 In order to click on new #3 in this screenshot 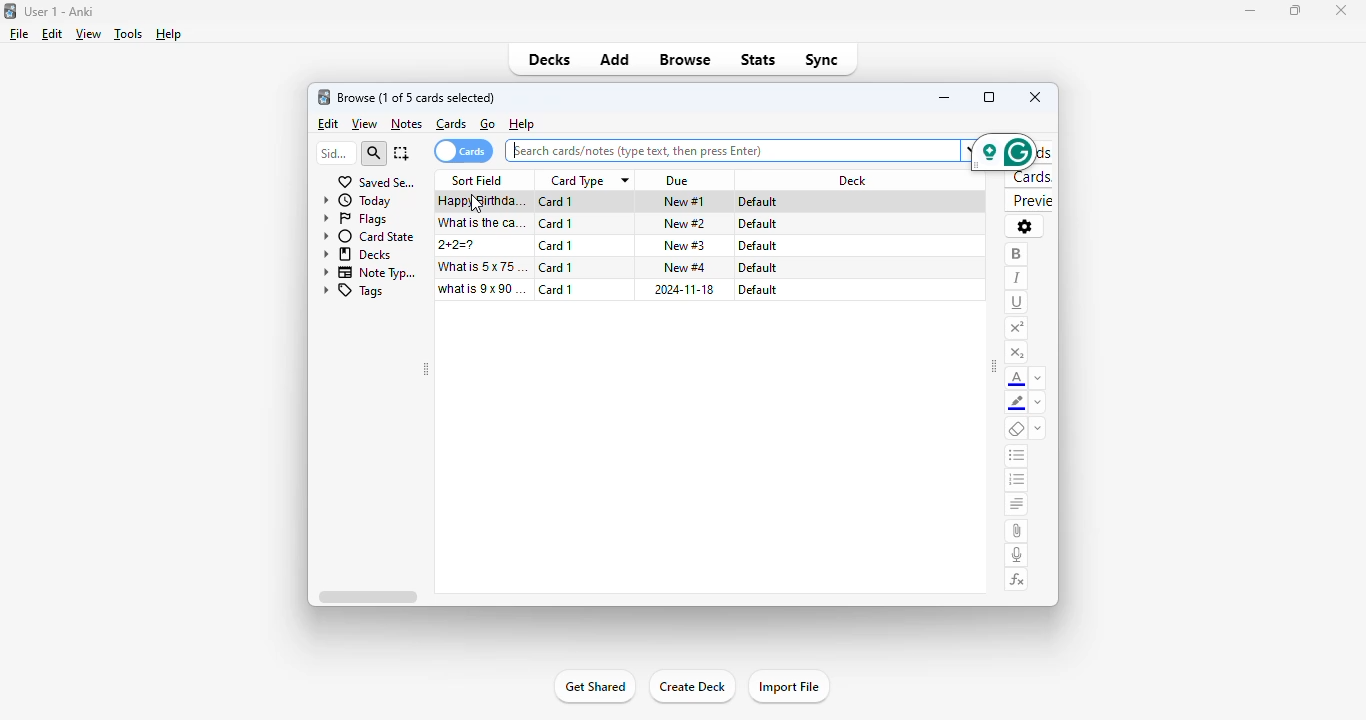, I will do `click(684, 245)`.